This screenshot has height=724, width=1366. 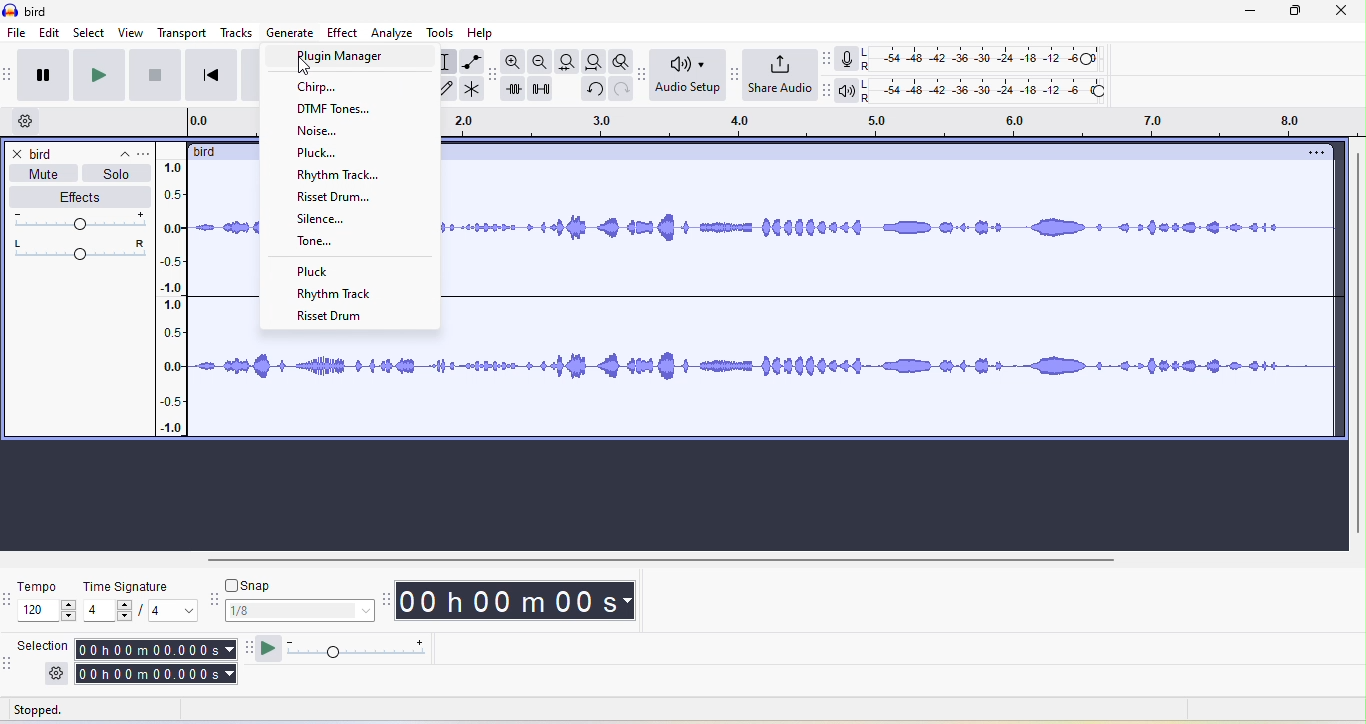 What do you see at coordinates (75, 222) in the screenshot?
I see `volume` at bounding box center [75, 222].